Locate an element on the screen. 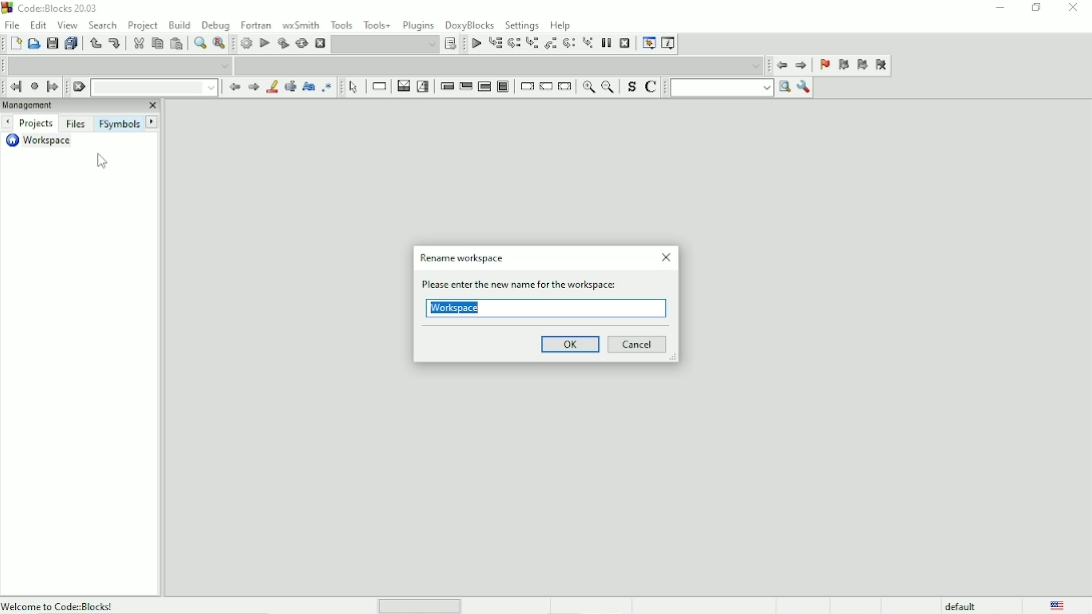 The width and height of the screenshot is (1092, 614). Help is located at coordinates (560, 24).